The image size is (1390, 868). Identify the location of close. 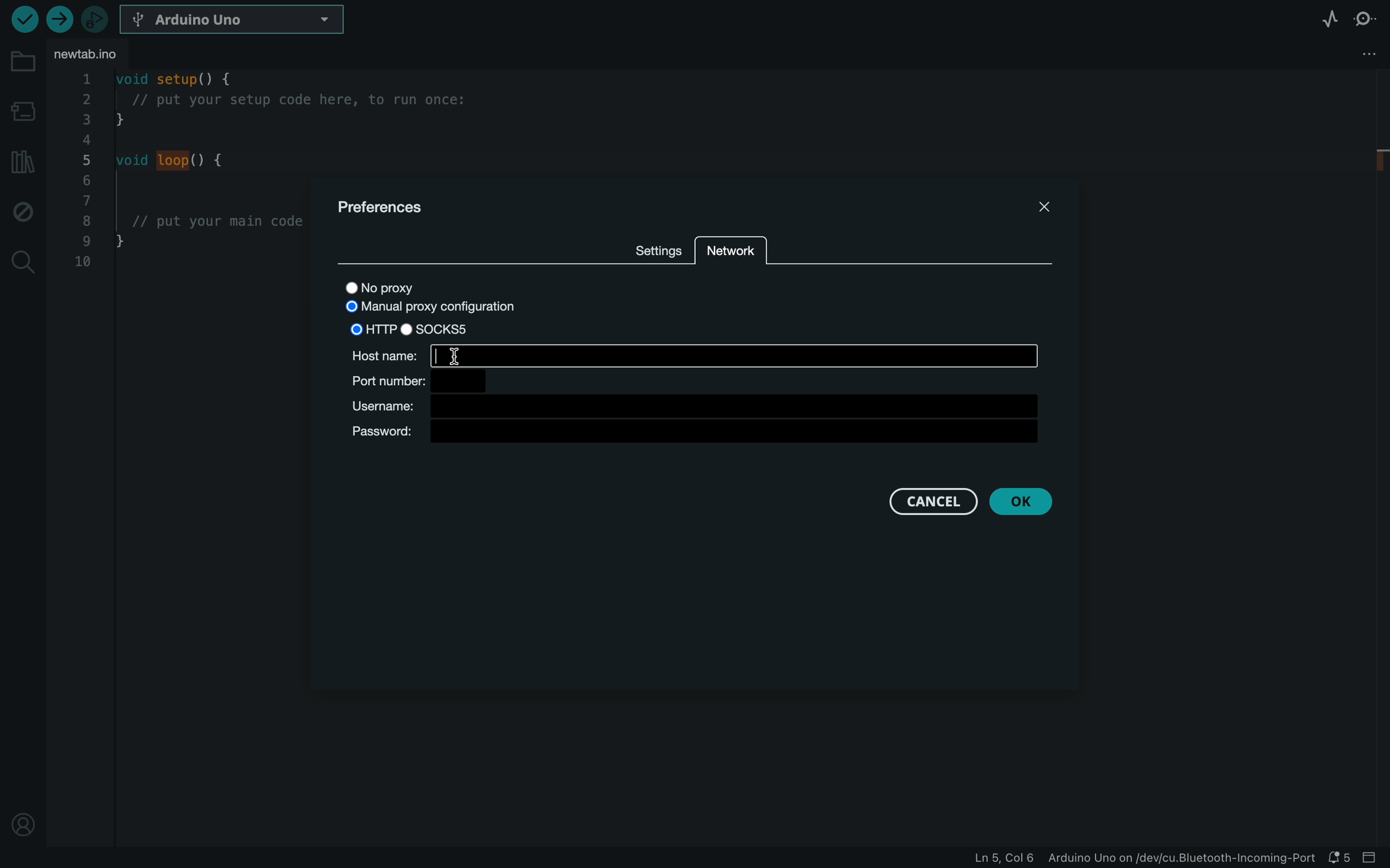
(1041, 206).